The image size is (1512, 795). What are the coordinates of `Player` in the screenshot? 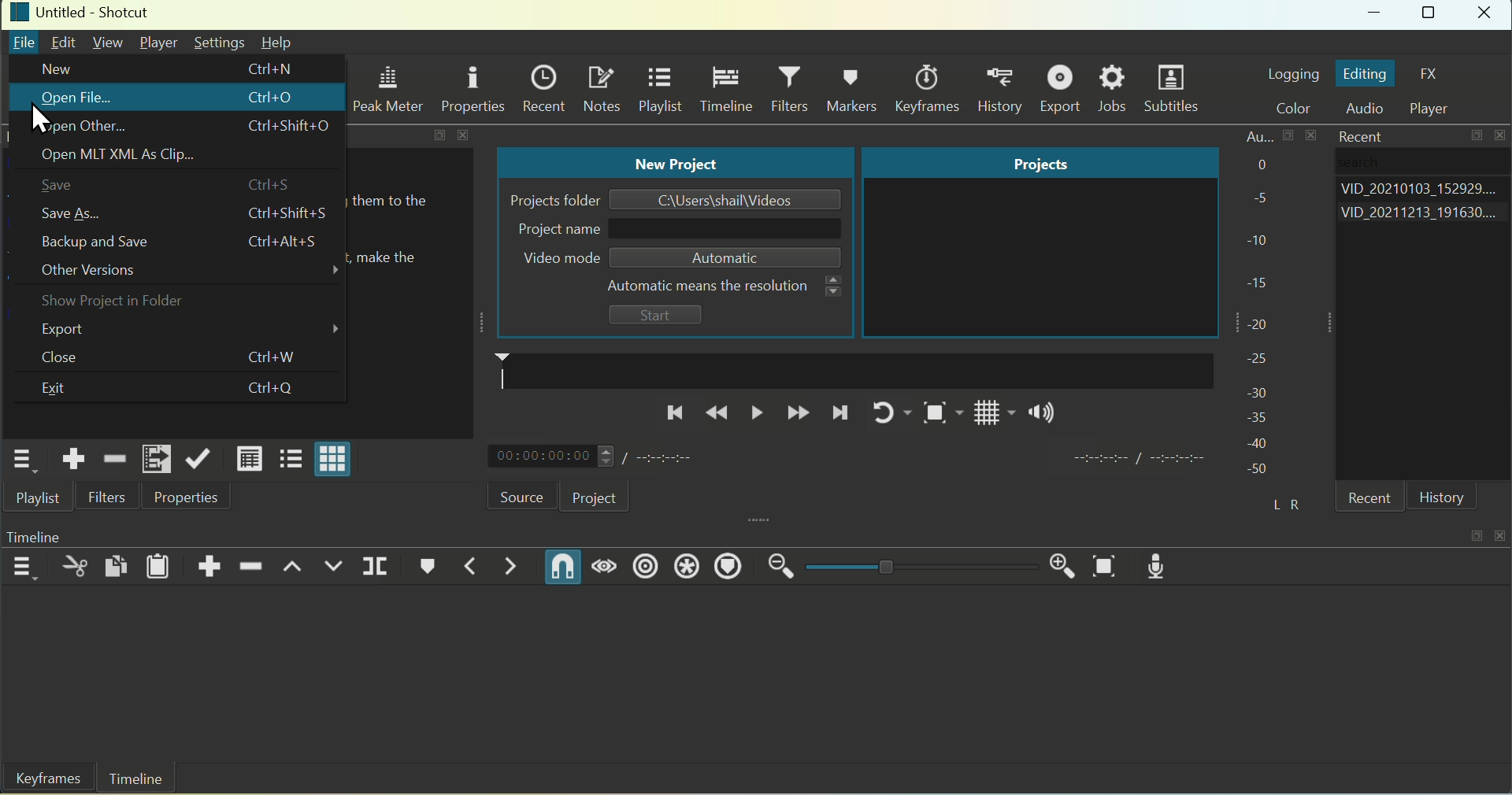 It's located at (1437, 109).